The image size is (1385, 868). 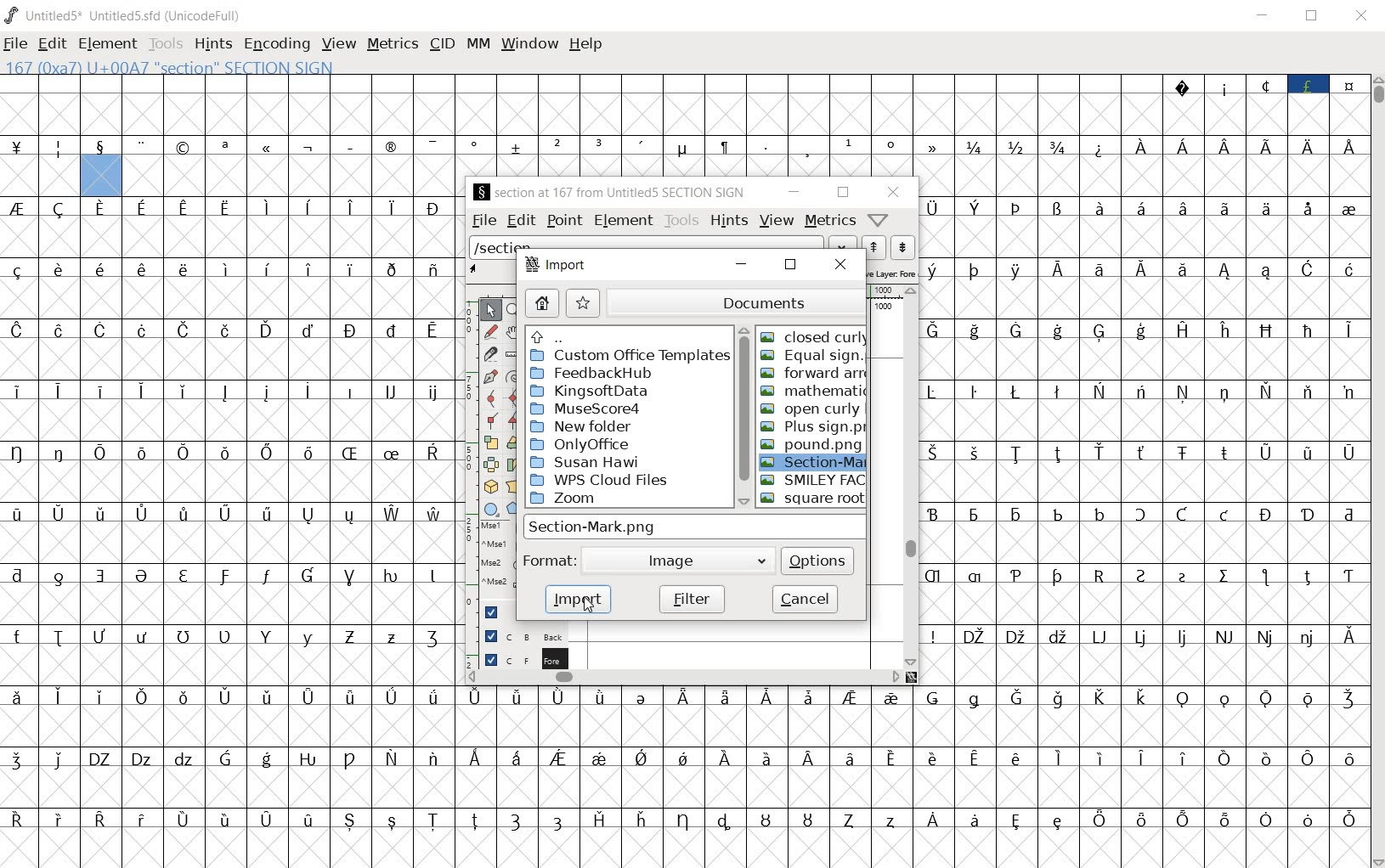 What do you see at coordinates (516, 510) in the screenshot?
I see `polygon or star` at bounding box center [516, 510].